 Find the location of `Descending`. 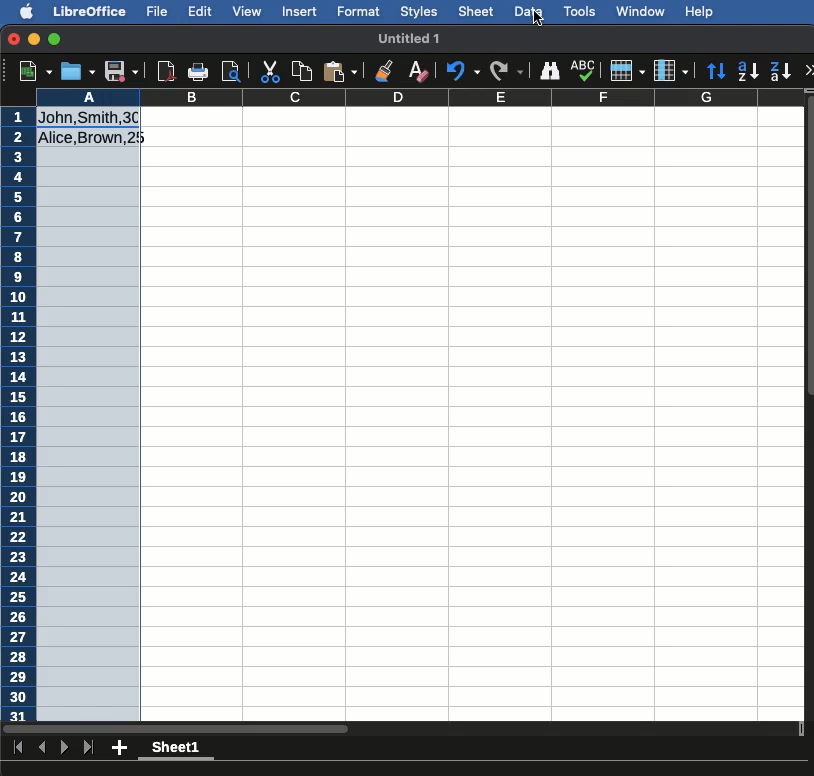

Descending is located at coordinates (781, 71).